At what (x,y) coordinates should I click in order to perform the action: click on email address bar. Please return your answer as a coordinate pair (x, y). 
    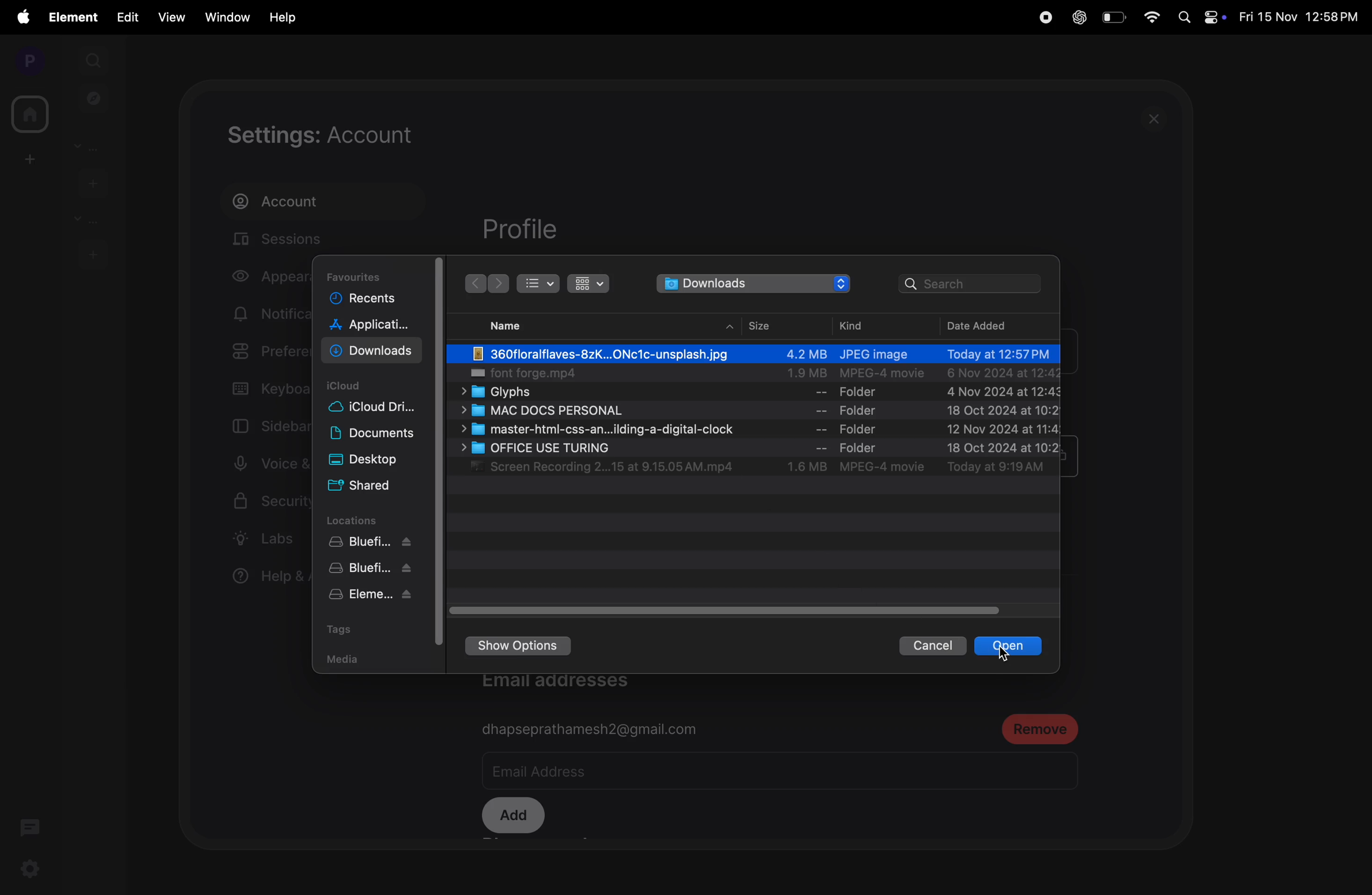
    Looking at the image, I should click on (642, 773).